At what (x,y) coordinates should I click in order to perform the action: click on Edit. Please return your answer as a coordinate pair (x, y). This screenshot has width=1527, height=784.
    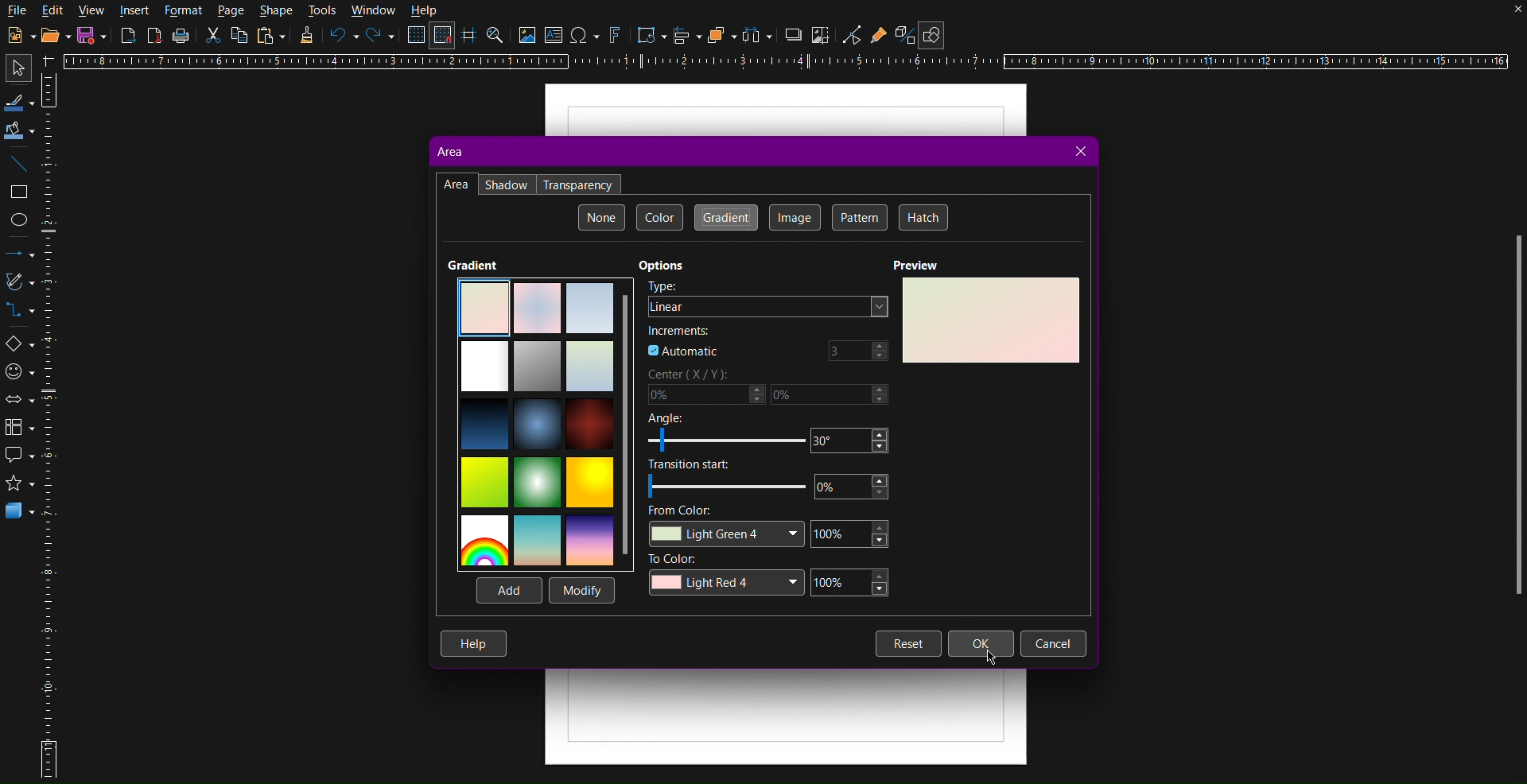
    Looking at the image, I should click on (55, 10).